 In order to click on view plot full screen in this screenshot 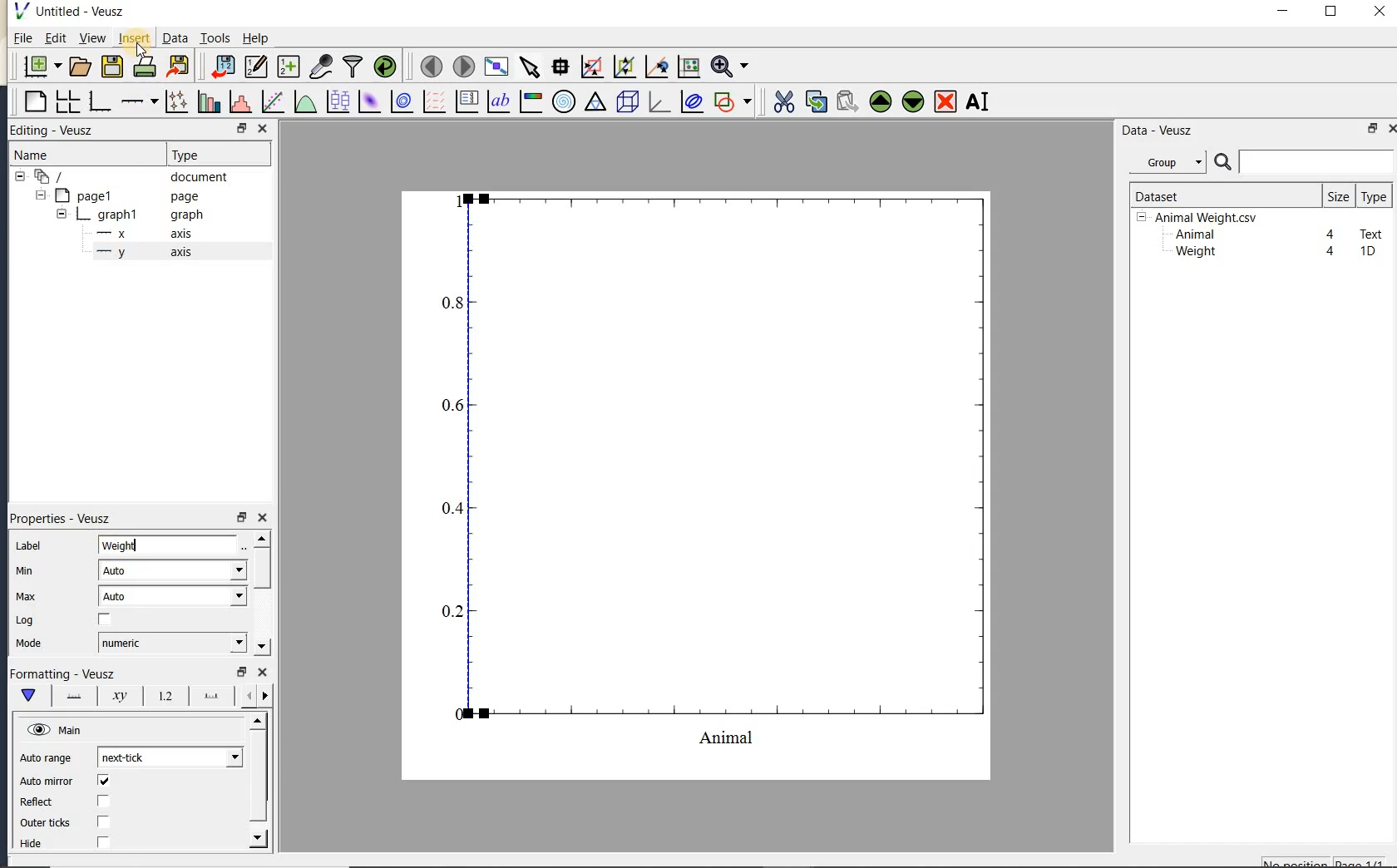, I will do `click(496, 67)`.